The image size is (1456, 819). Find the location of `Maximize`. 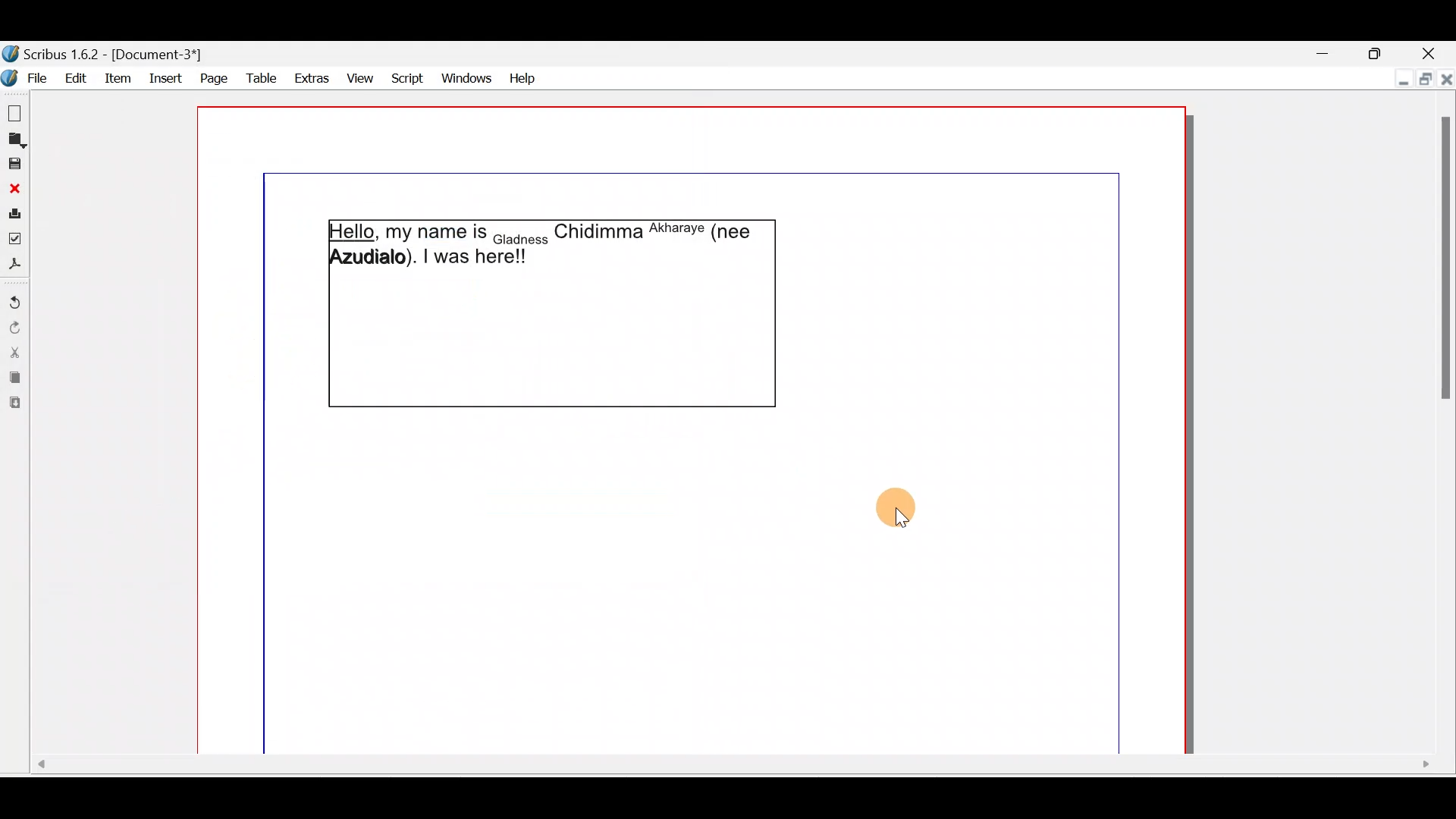

Maximize is located at coordinates (1384, 52).